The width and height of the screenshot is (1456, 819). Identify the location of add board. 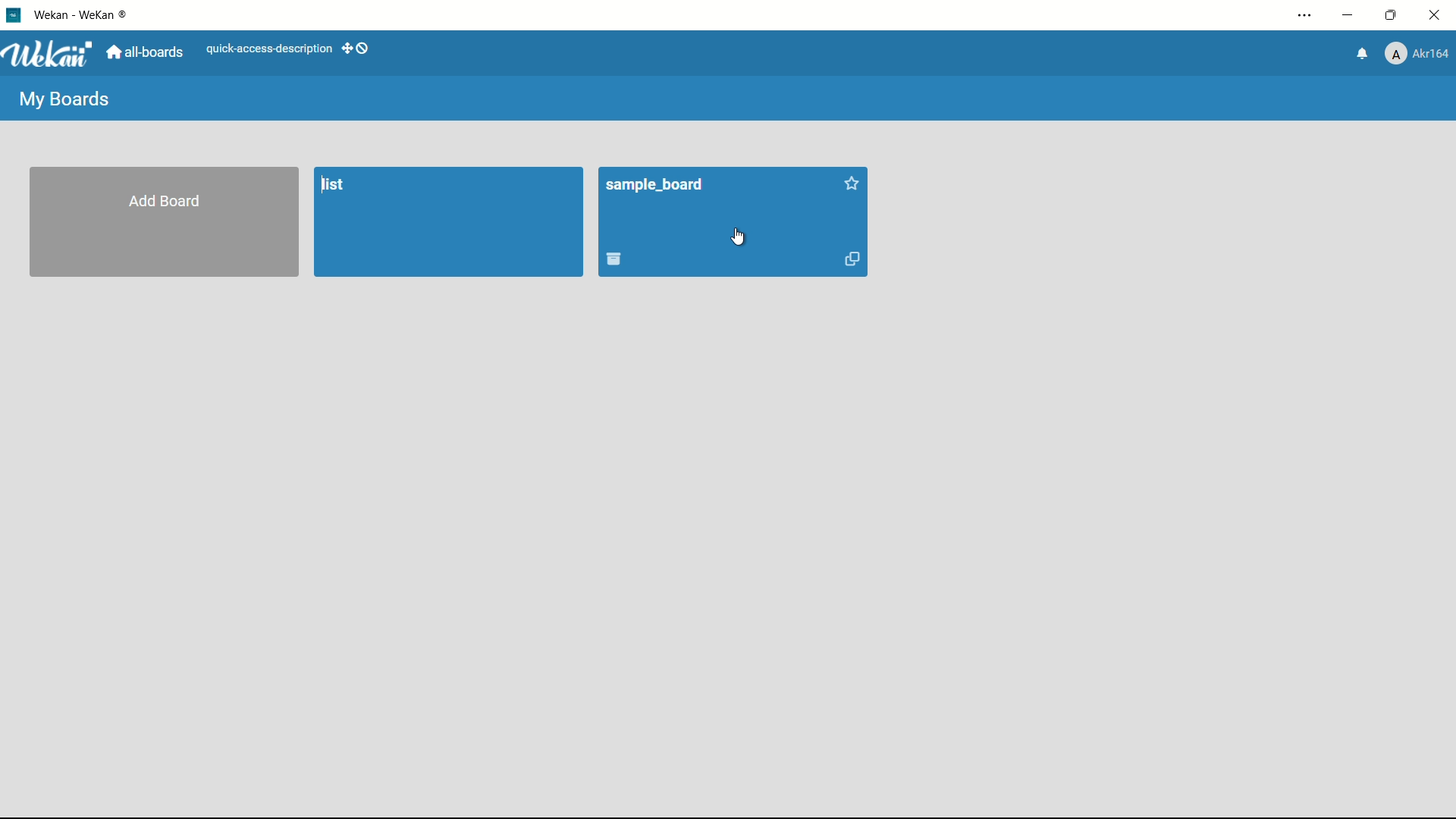
(165, 200).